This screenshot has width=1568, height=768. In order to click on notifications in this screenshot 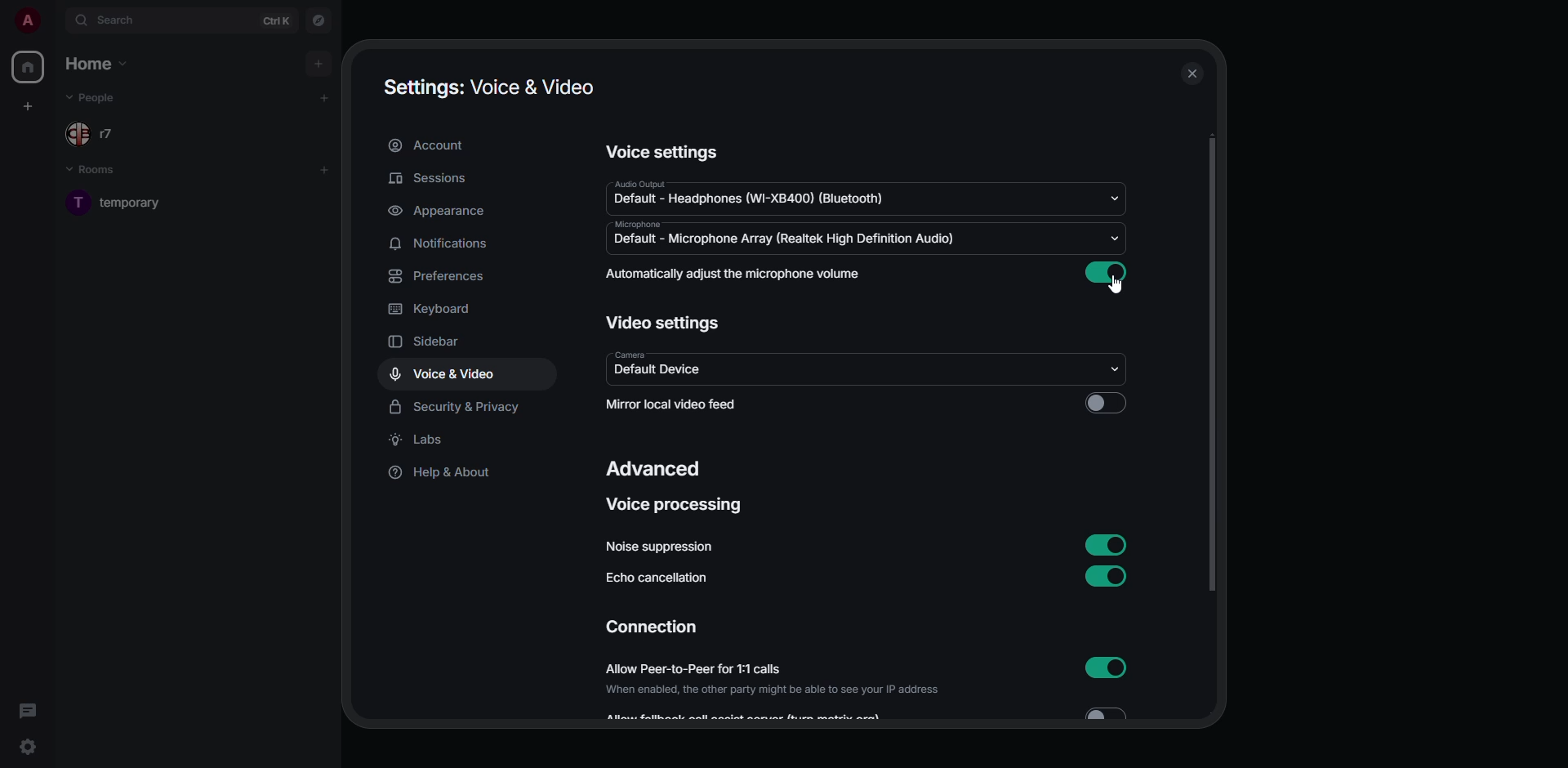, I will do `click(439, 244)`.